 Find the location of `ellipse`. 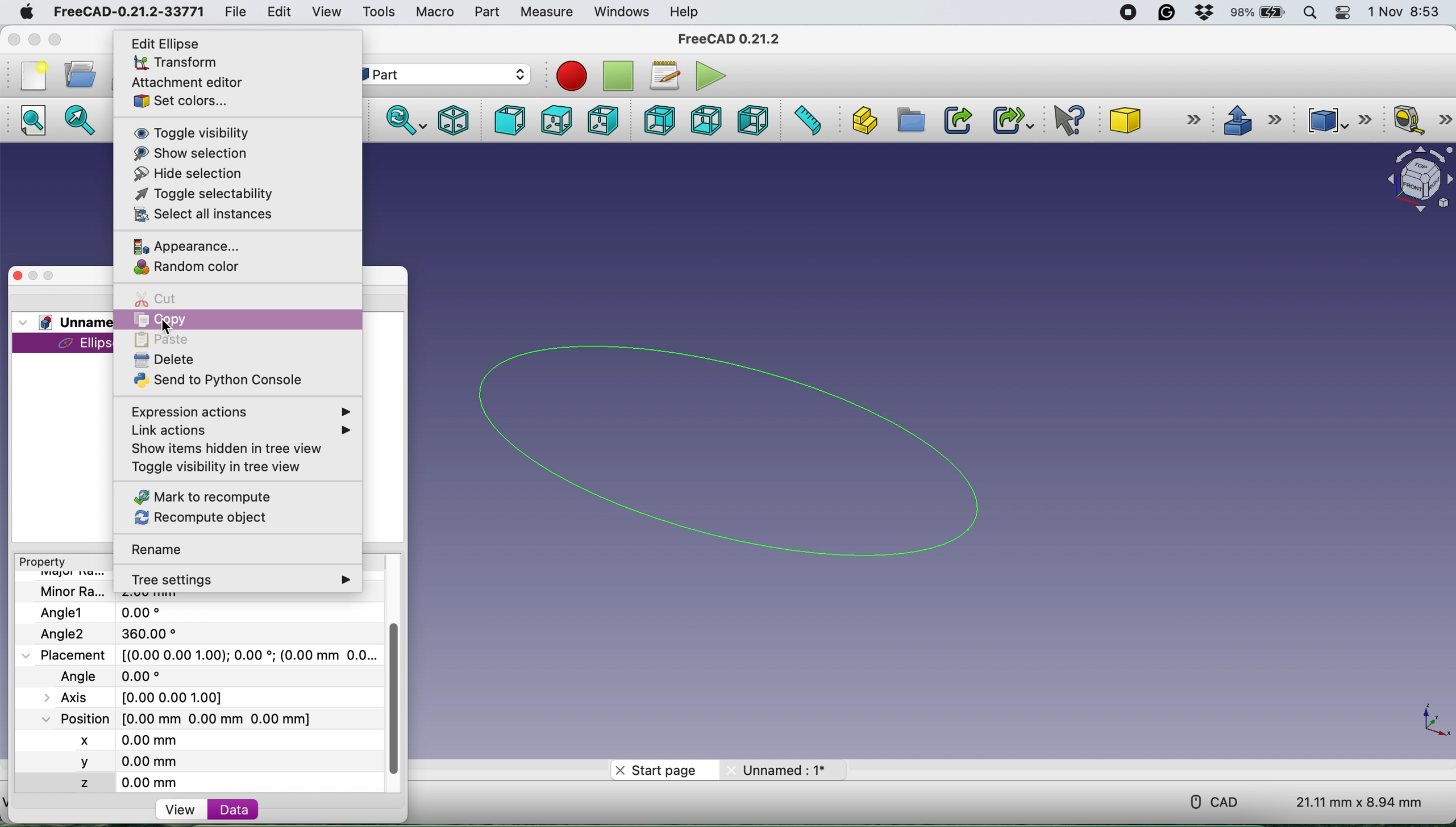

ellipse is located at coordinates (751, 448).